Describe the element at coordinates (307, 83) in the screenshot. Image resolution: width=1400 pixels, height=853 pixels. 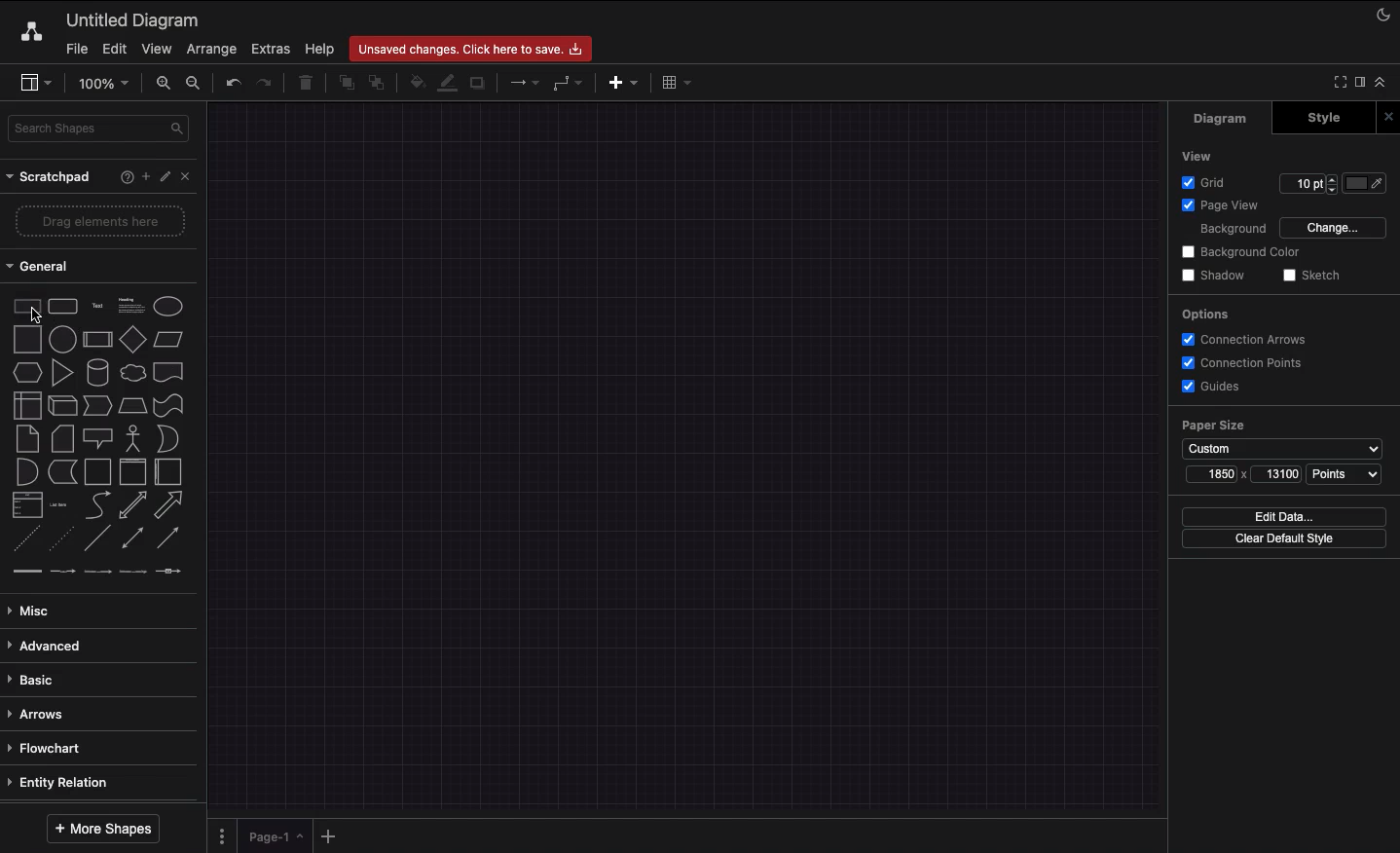
I see `Trash` at that location.